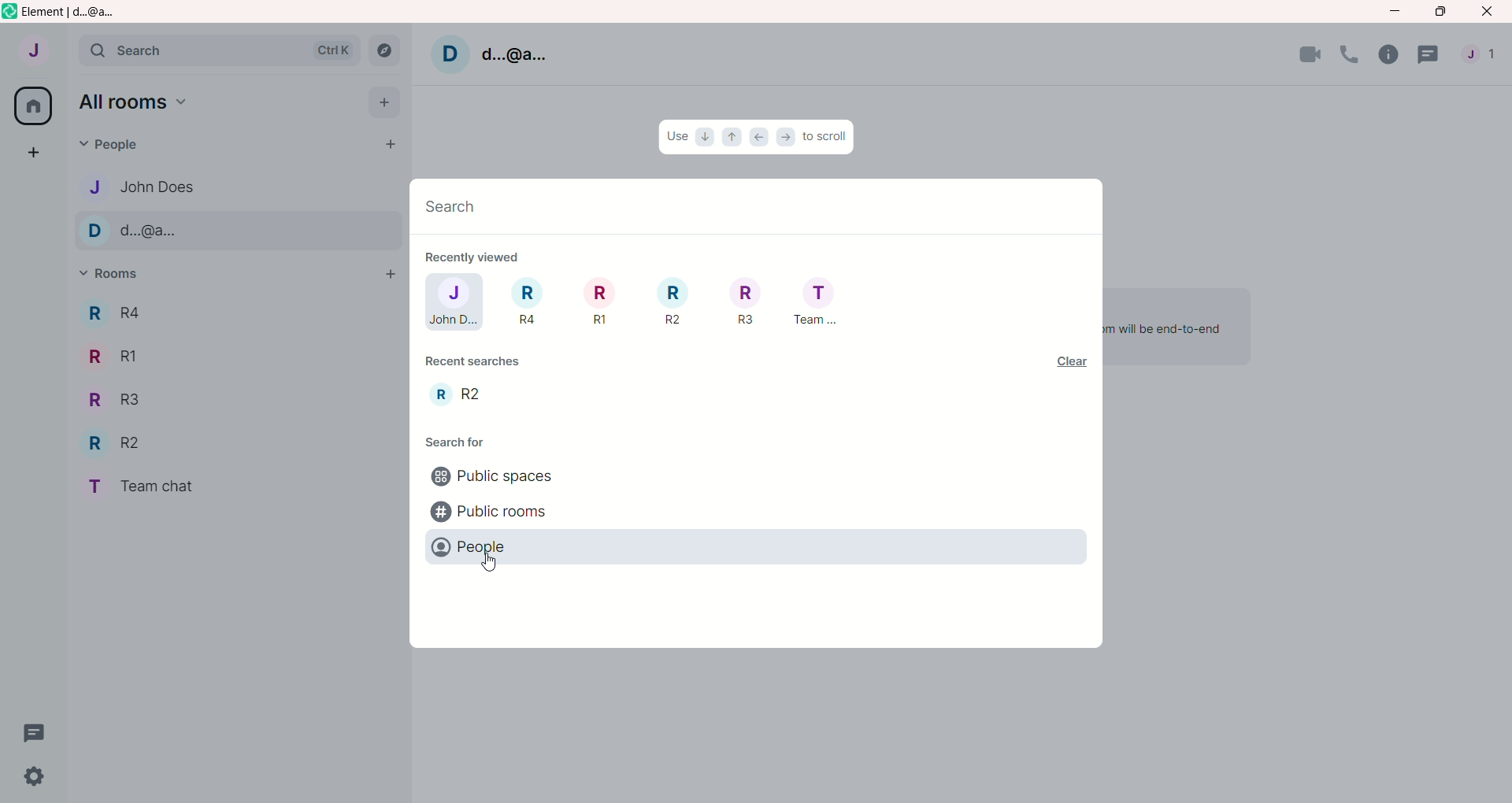  What do you see at coordinates (706, 136) in the screenshot?
I see `down arrow icon` at bounding box center [706, 136].